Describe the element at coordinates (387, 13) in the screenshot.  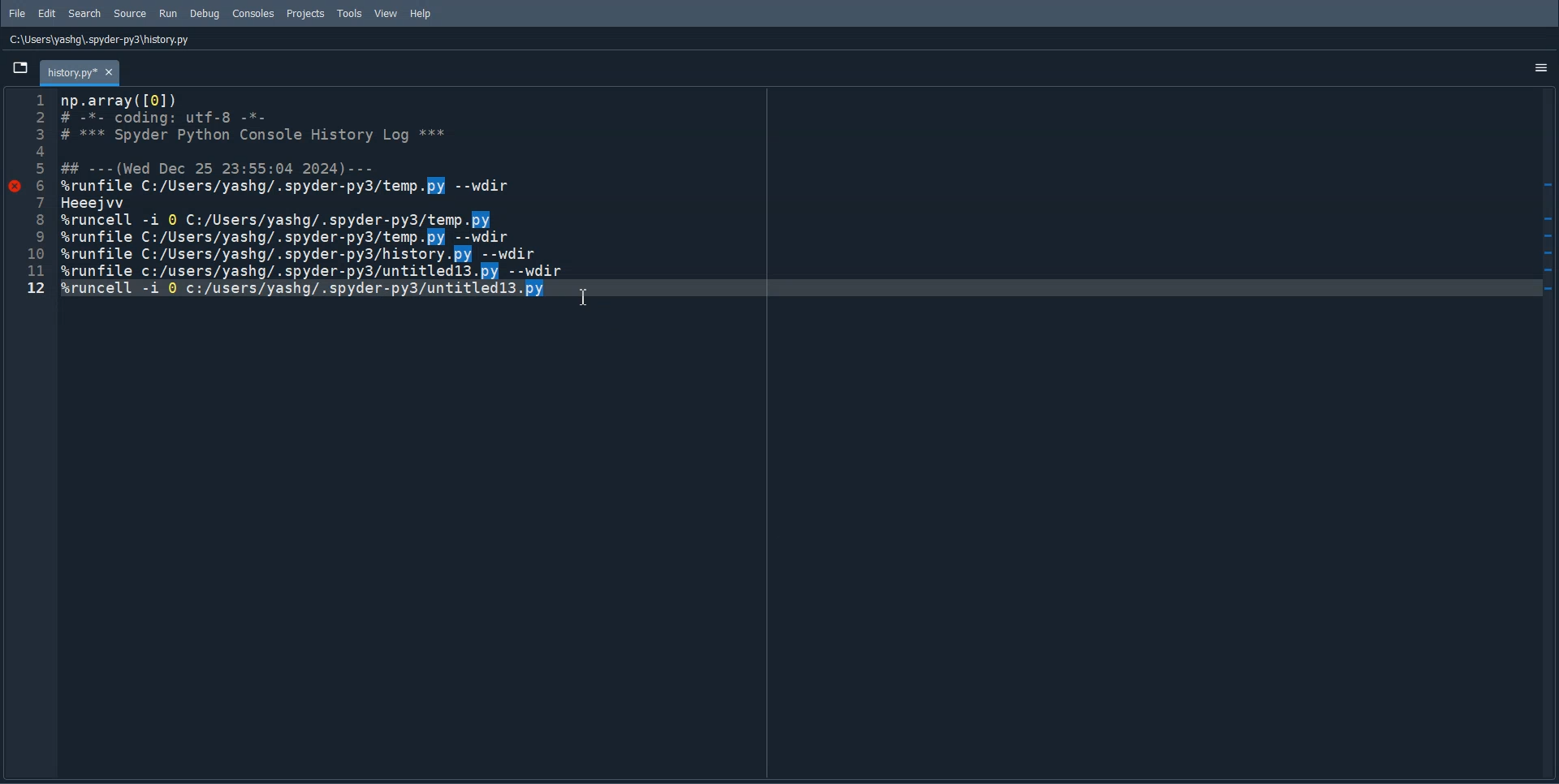
I see `View` at that location.